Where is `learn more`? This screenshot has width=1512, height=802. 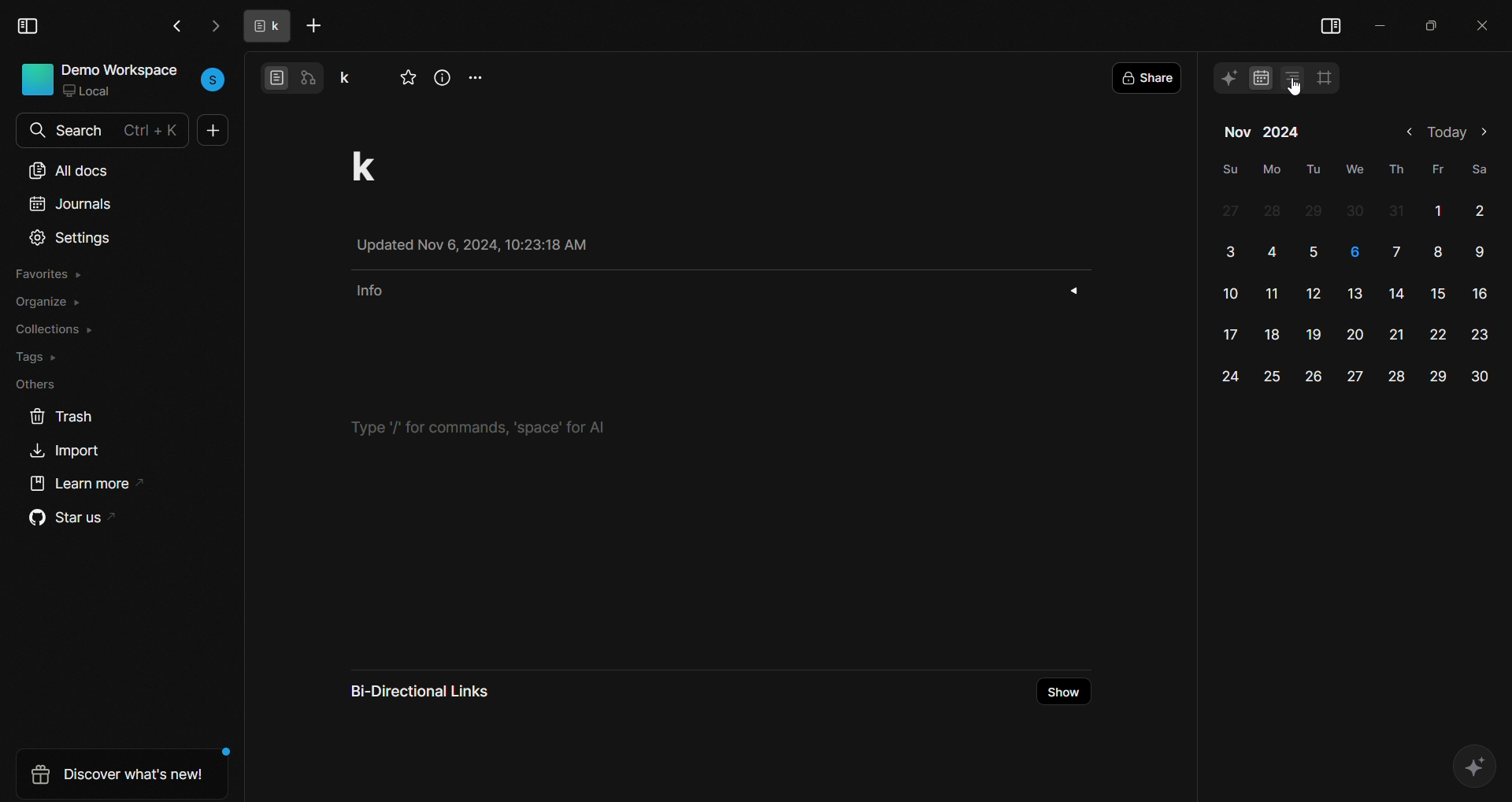 learn more is located at coordinates (82, 488).